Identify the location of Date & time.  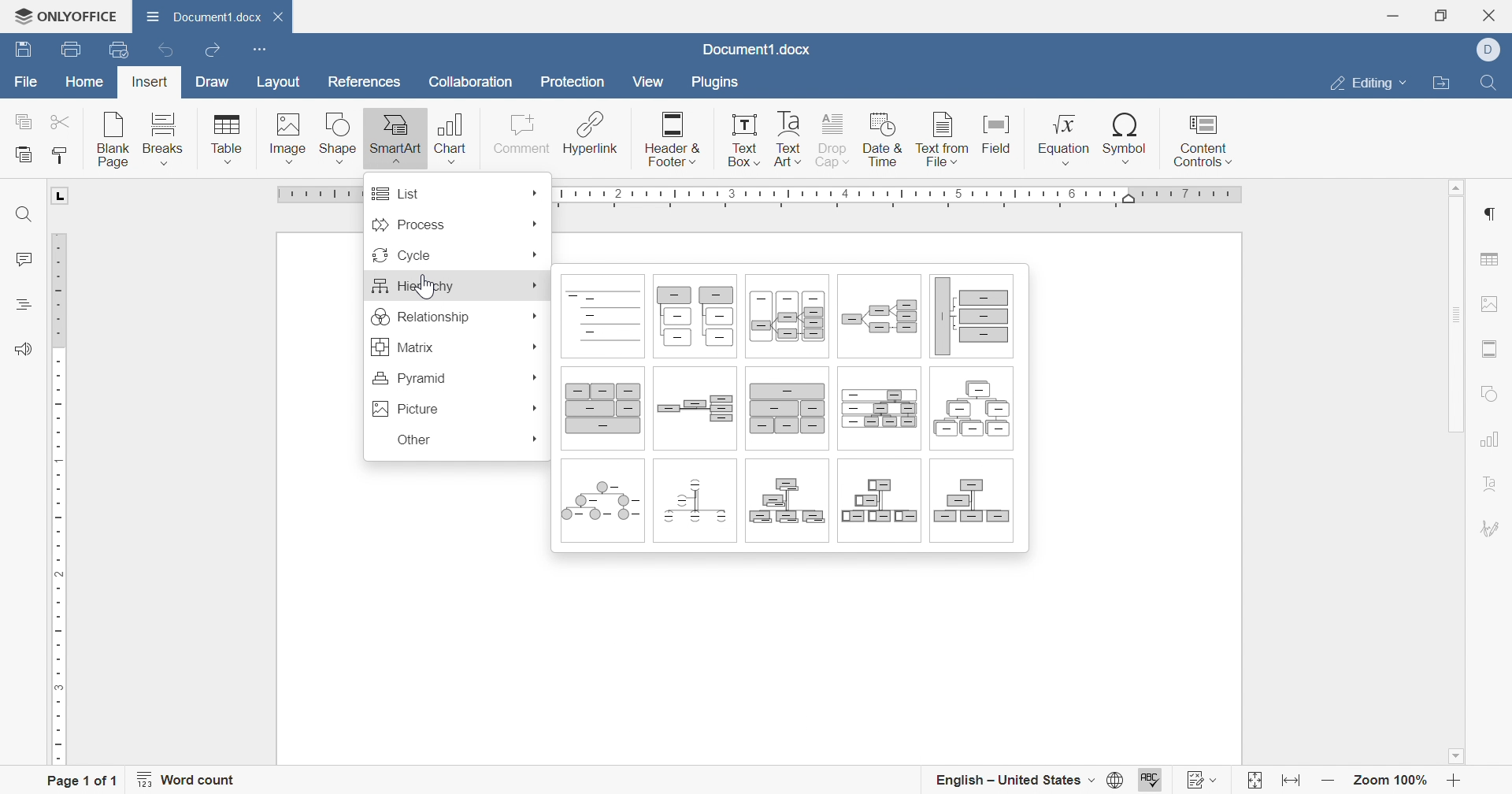
(883, 141).